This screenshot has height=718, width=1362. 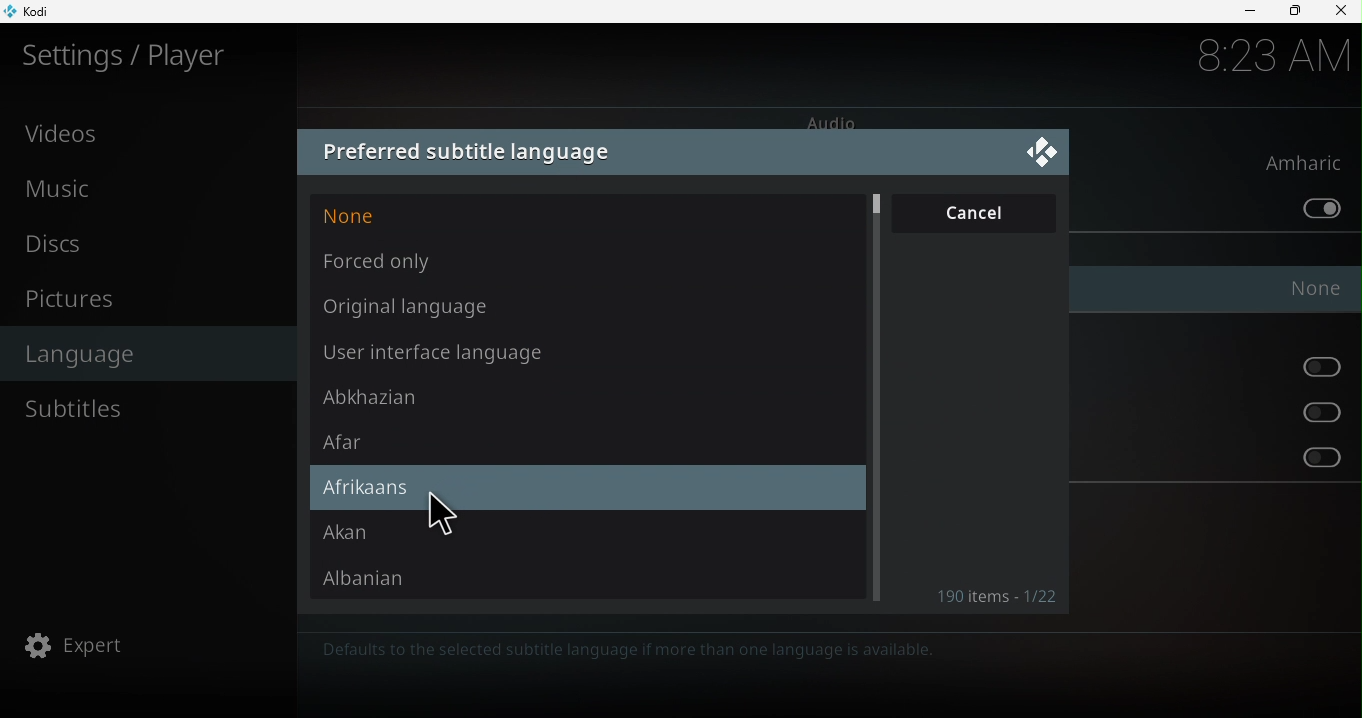 What do you see at coordinates (1312, 369) in the screenshot?
I see `Prefer audio stream for the visually impaired` at bounding box center [1312, 369].